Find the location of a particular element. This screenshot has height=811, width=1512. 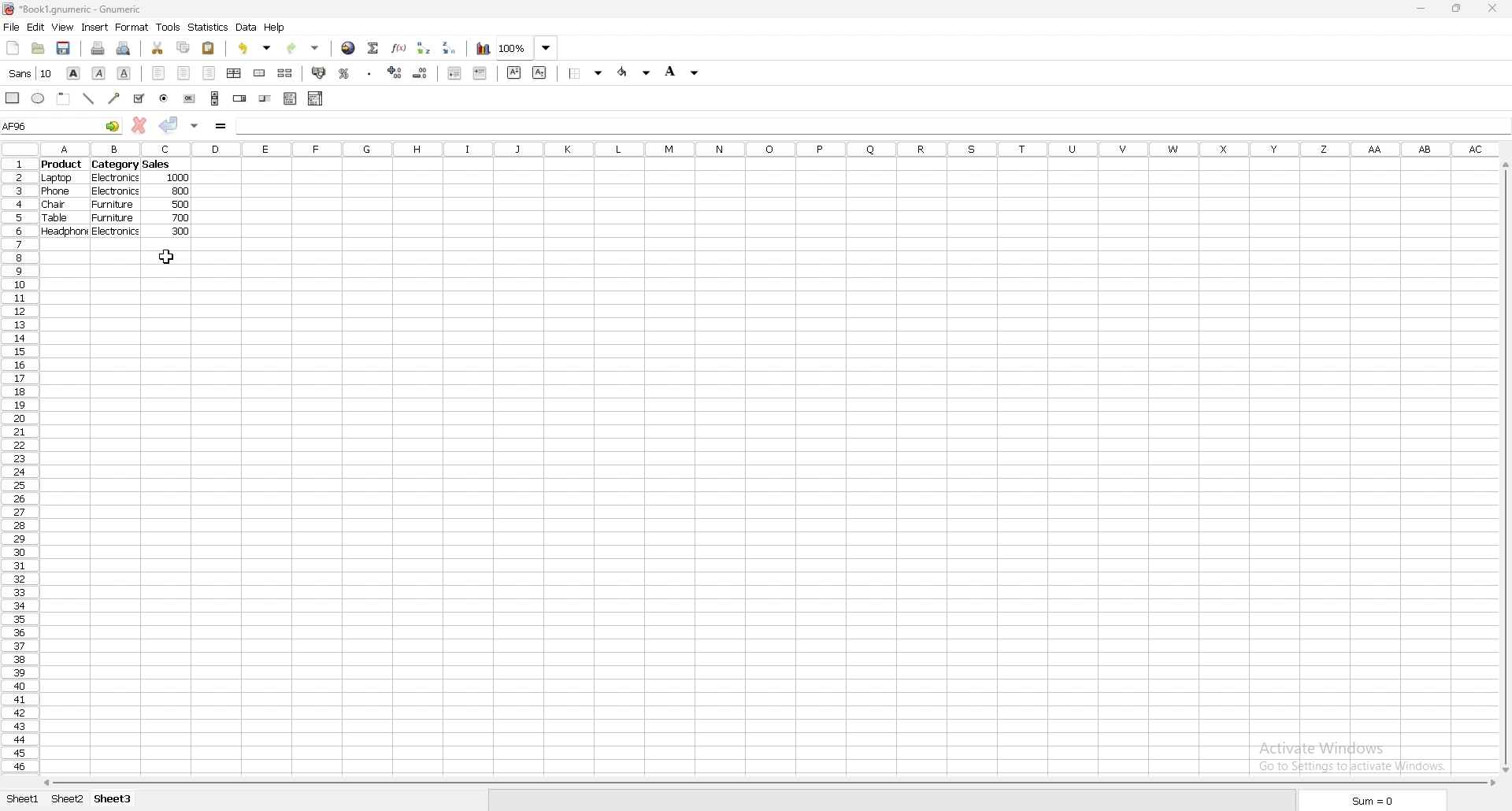

sort ascending is located at coordinates (424, 47).